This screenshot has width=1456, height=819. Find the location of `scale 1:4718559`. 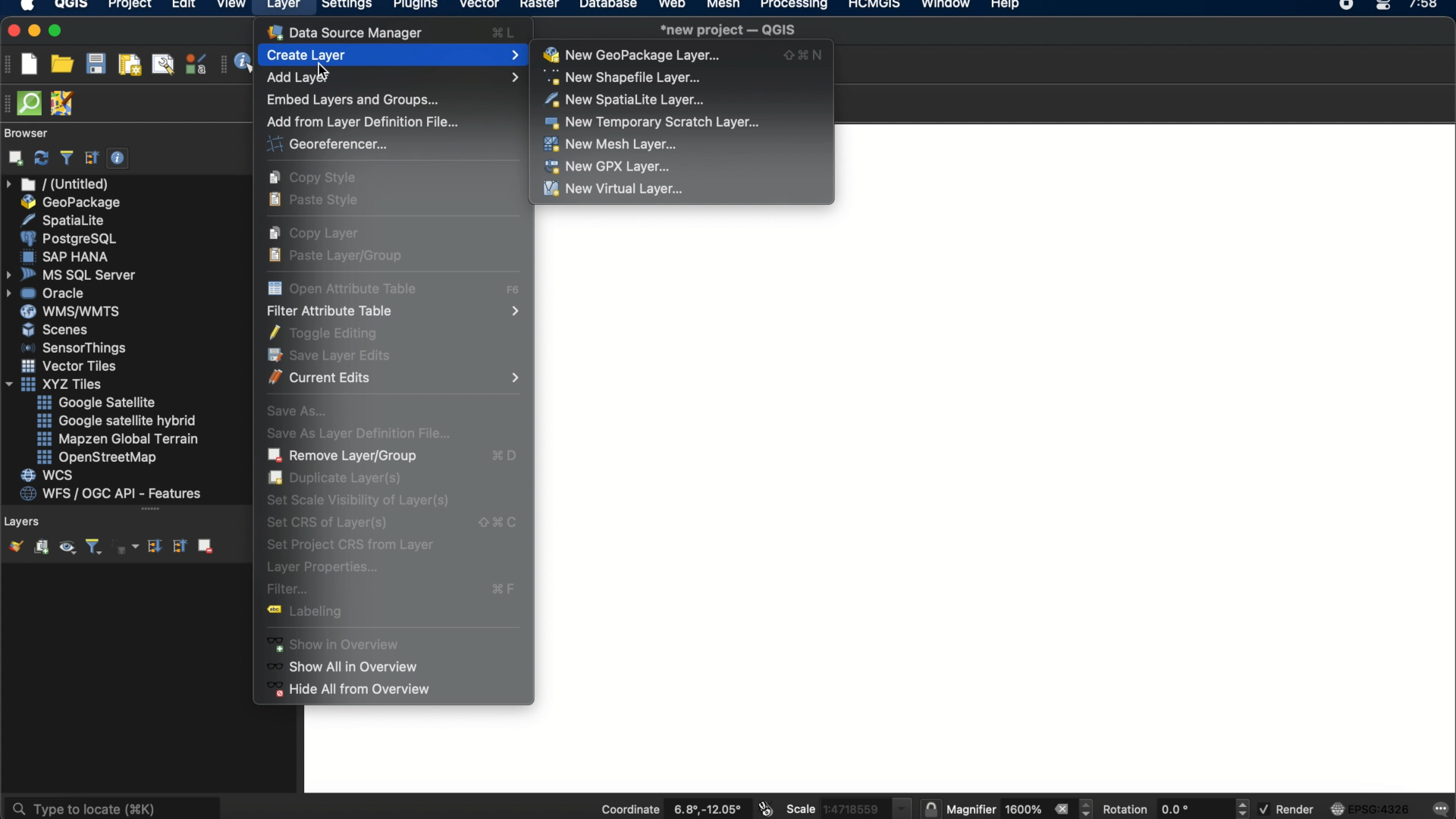

scale 1:4718559 is located at coordinates (846, 807).